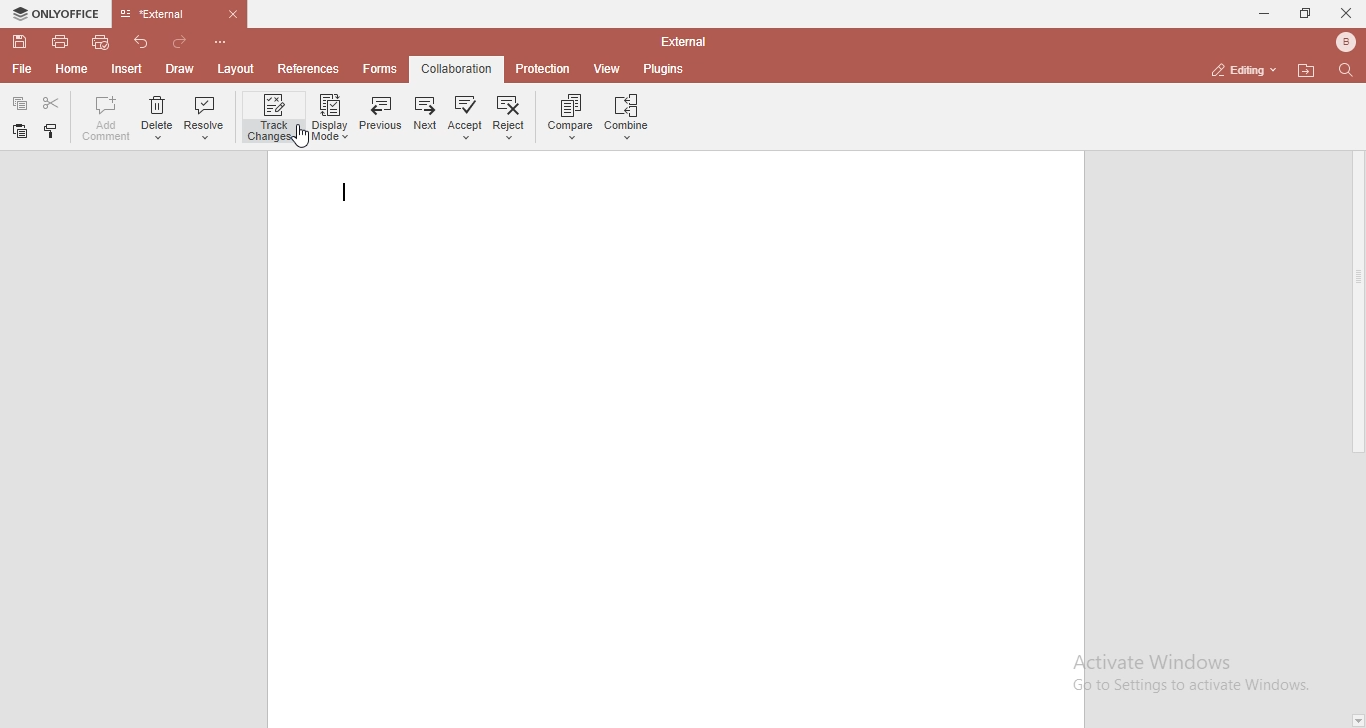 This screenshot has width=1366, height=728. What do you see at coordinates (377, 114) in the screenshot?
I see `previous` at bounding box center [377, 114].